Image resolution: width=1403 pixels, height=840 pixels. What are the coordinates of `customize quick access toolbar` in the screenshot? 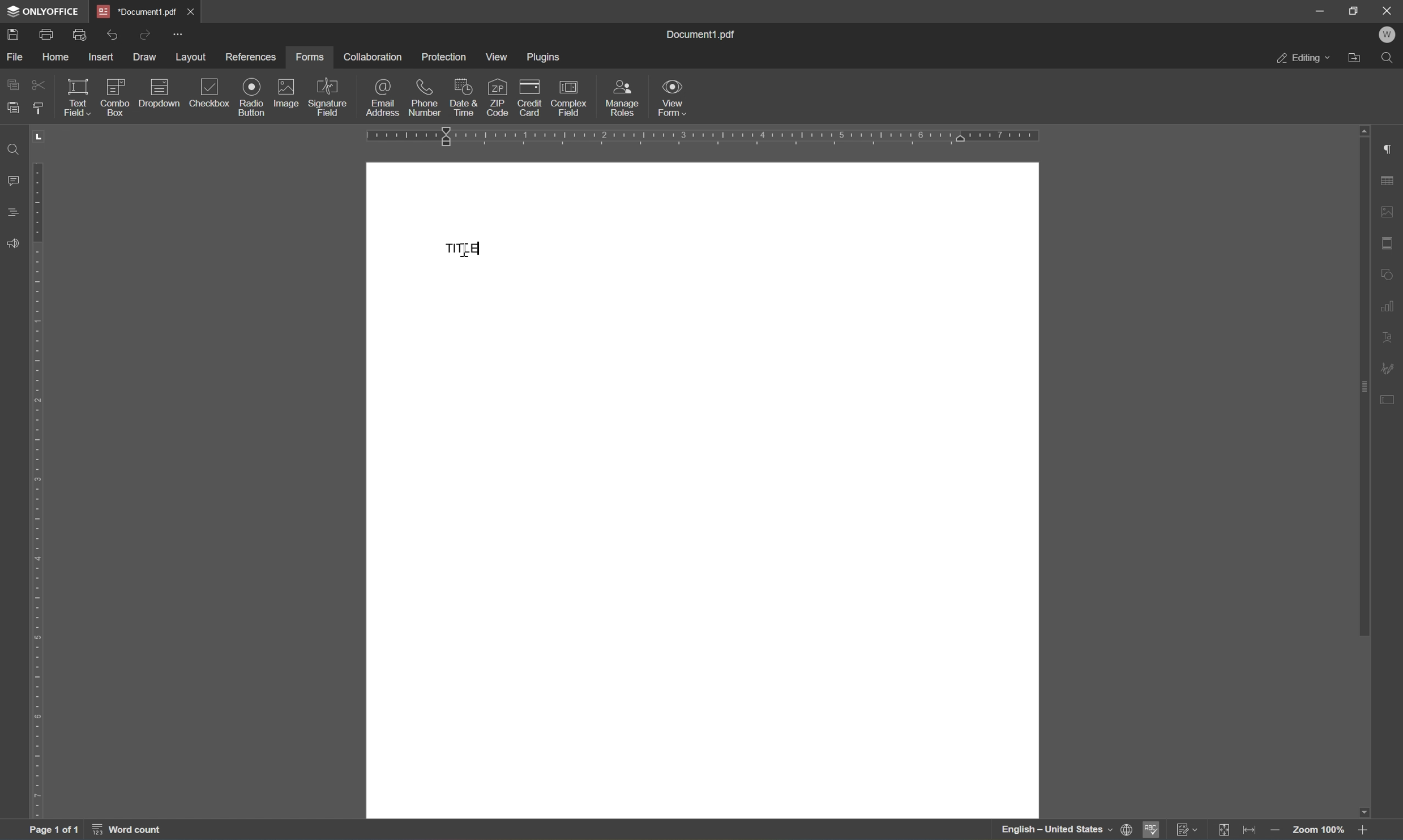 It's located at (180, 33).